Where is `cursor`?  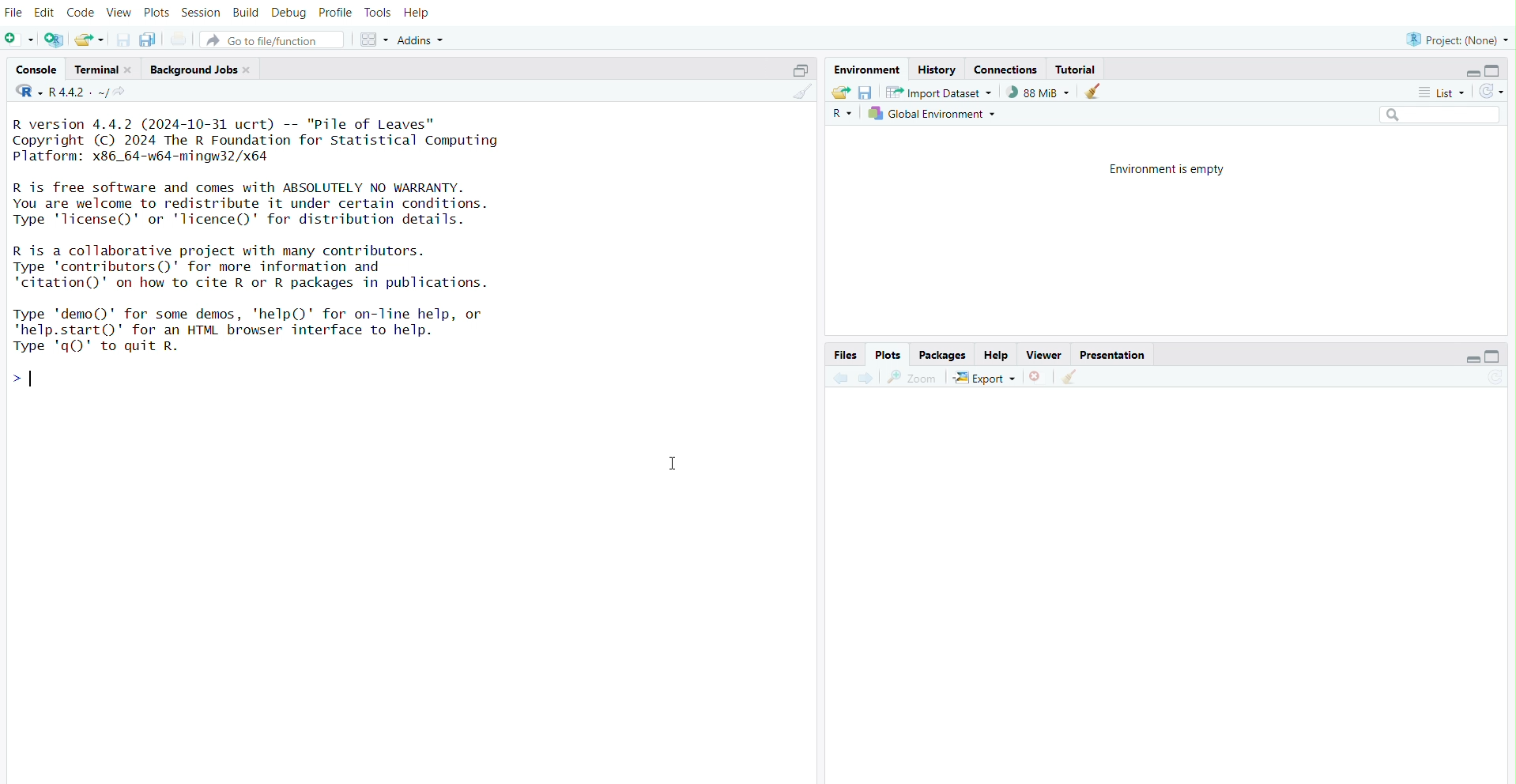
cursor is located at coordinates (670, 465).